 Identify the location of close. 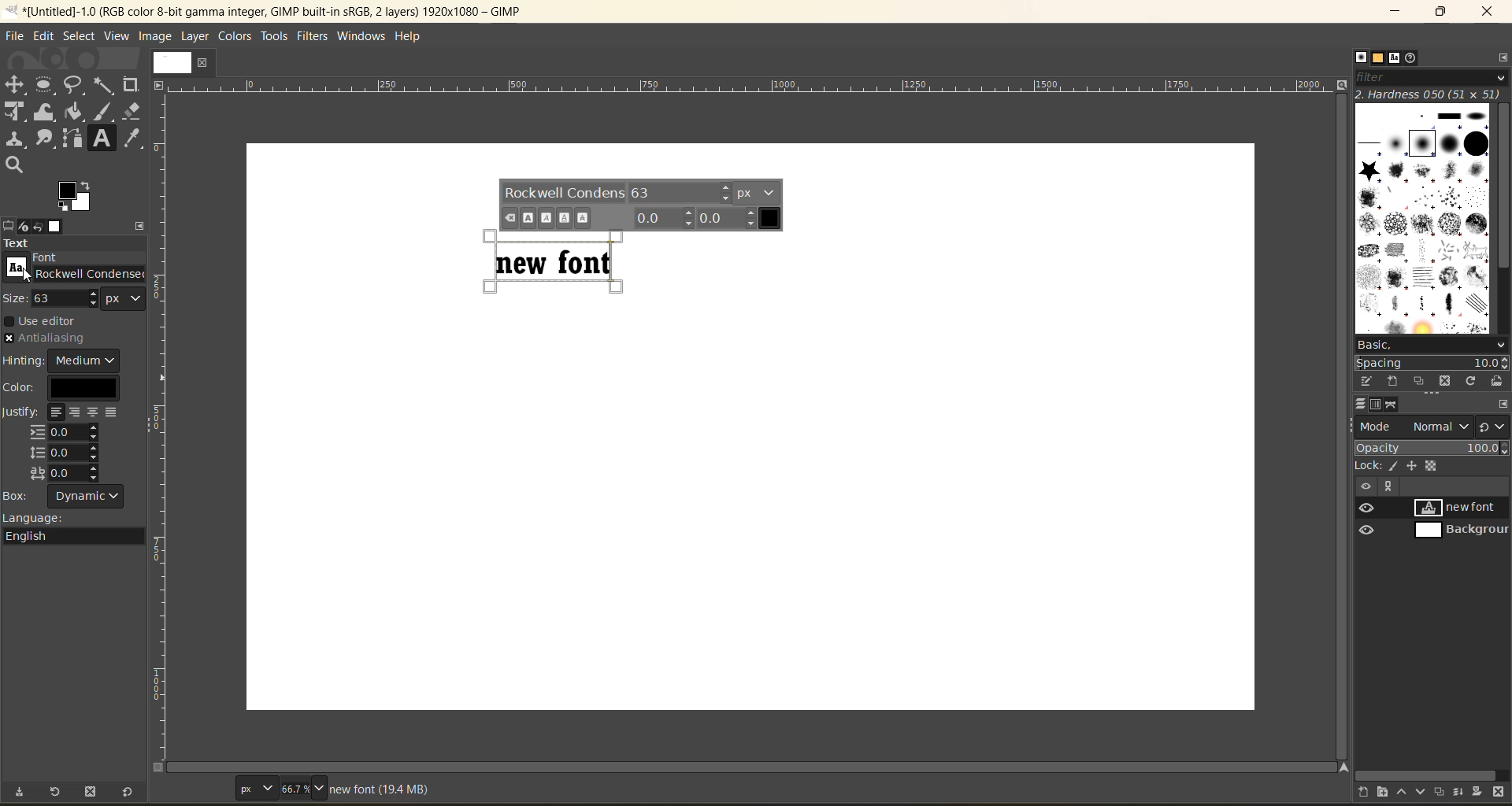
(1492, 12).